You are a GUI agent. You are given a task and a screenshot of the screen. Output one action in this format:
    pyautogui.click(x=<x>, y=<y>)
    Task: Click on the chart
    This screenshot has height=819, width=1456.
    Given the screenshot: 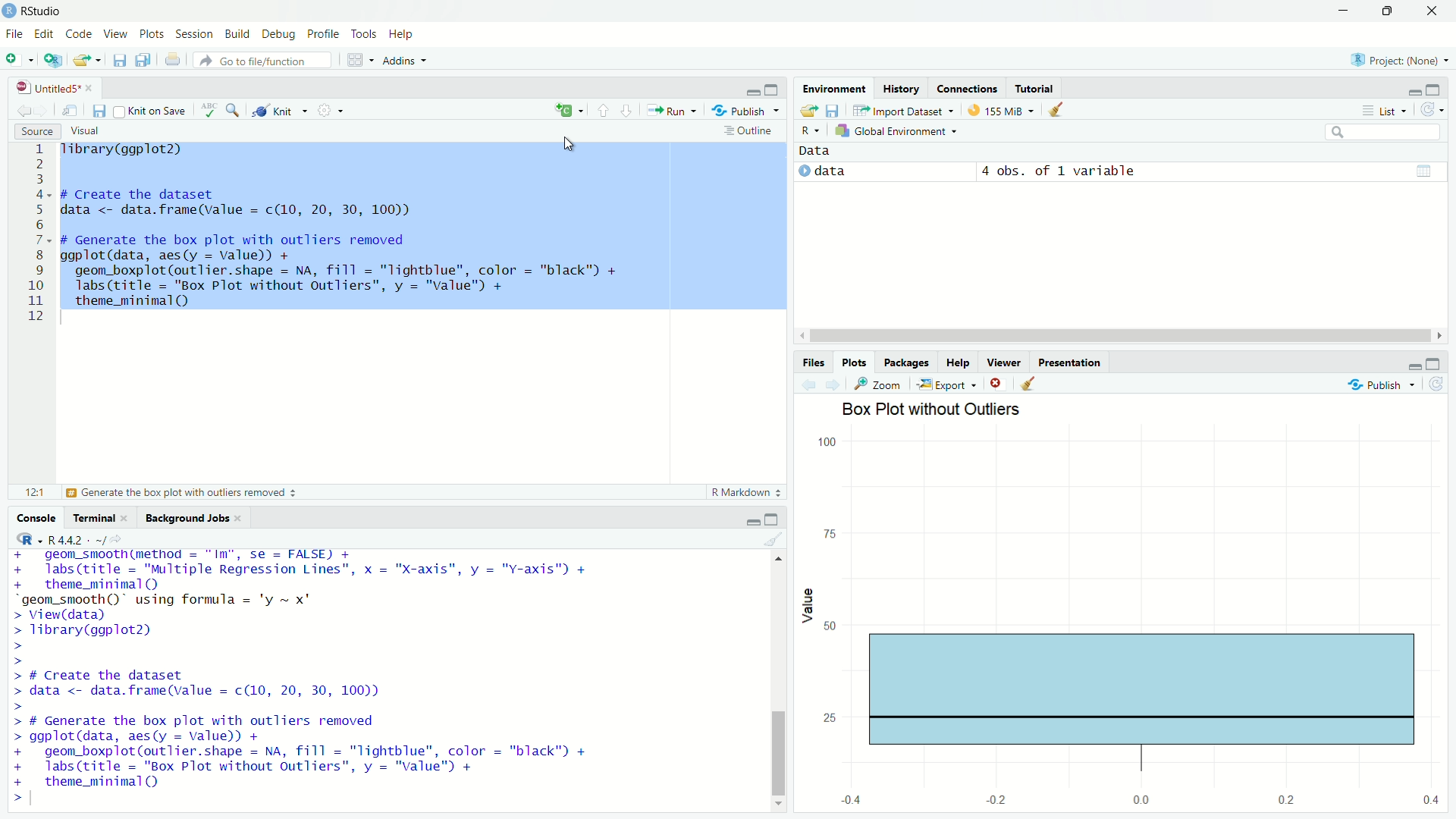 What is the action you would take?
    pyautogui.click(x=1123, y=620)
    